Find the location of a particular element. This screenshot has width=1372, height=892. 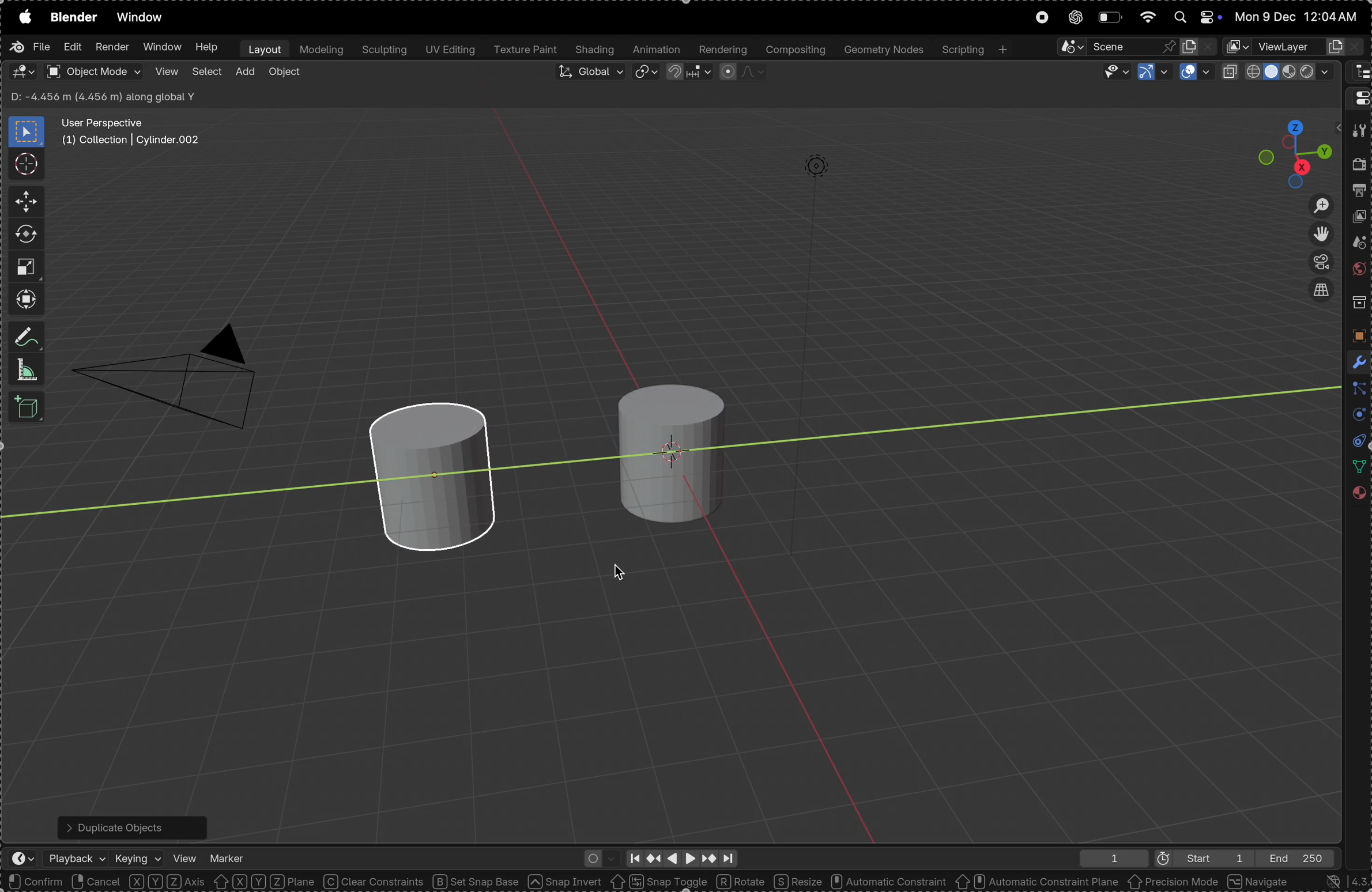

Sculptiing is located at coordinates (383, 50).